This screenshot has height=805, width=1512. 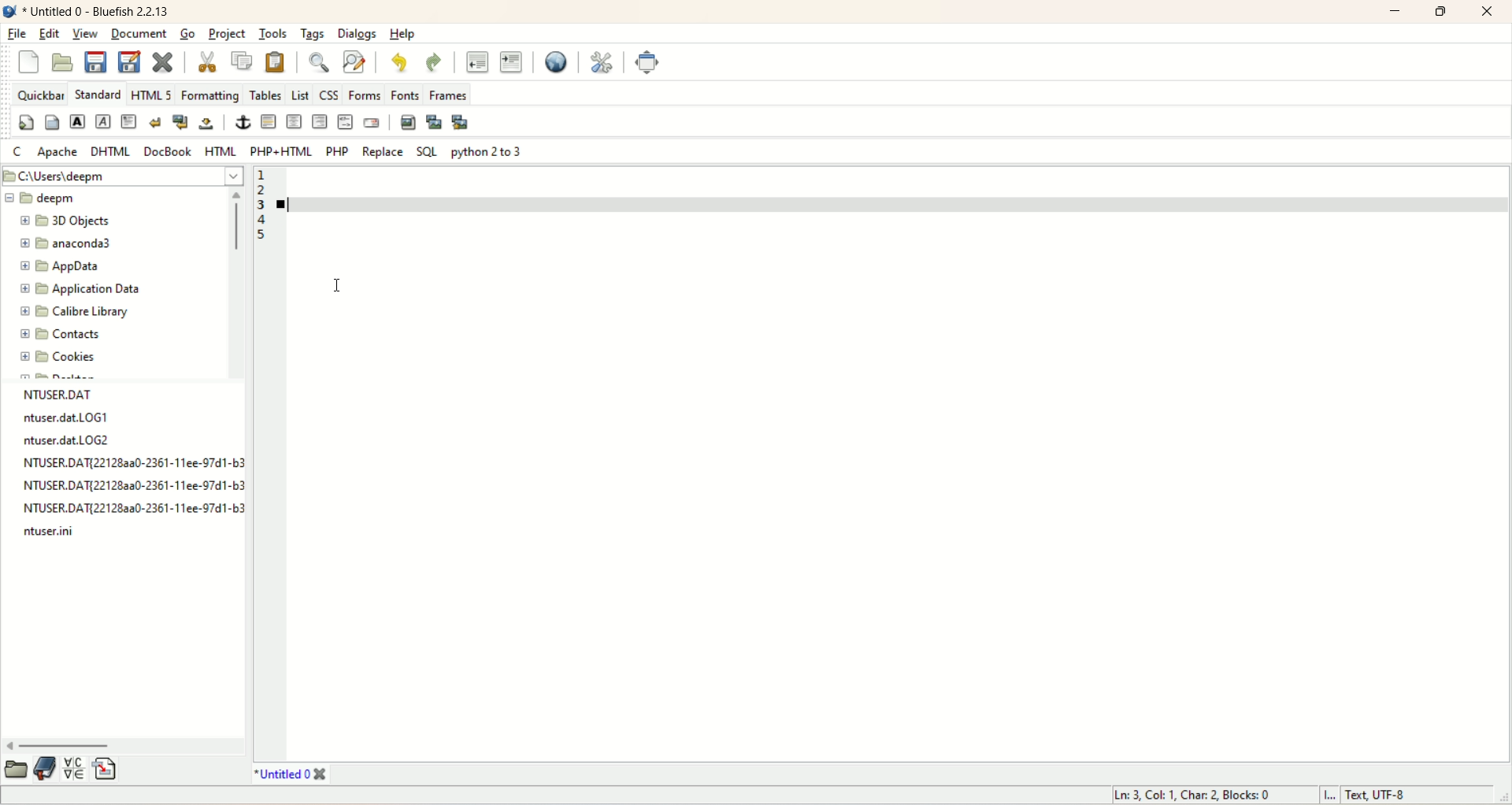 I want to click on new, so click(x=29, y=61).